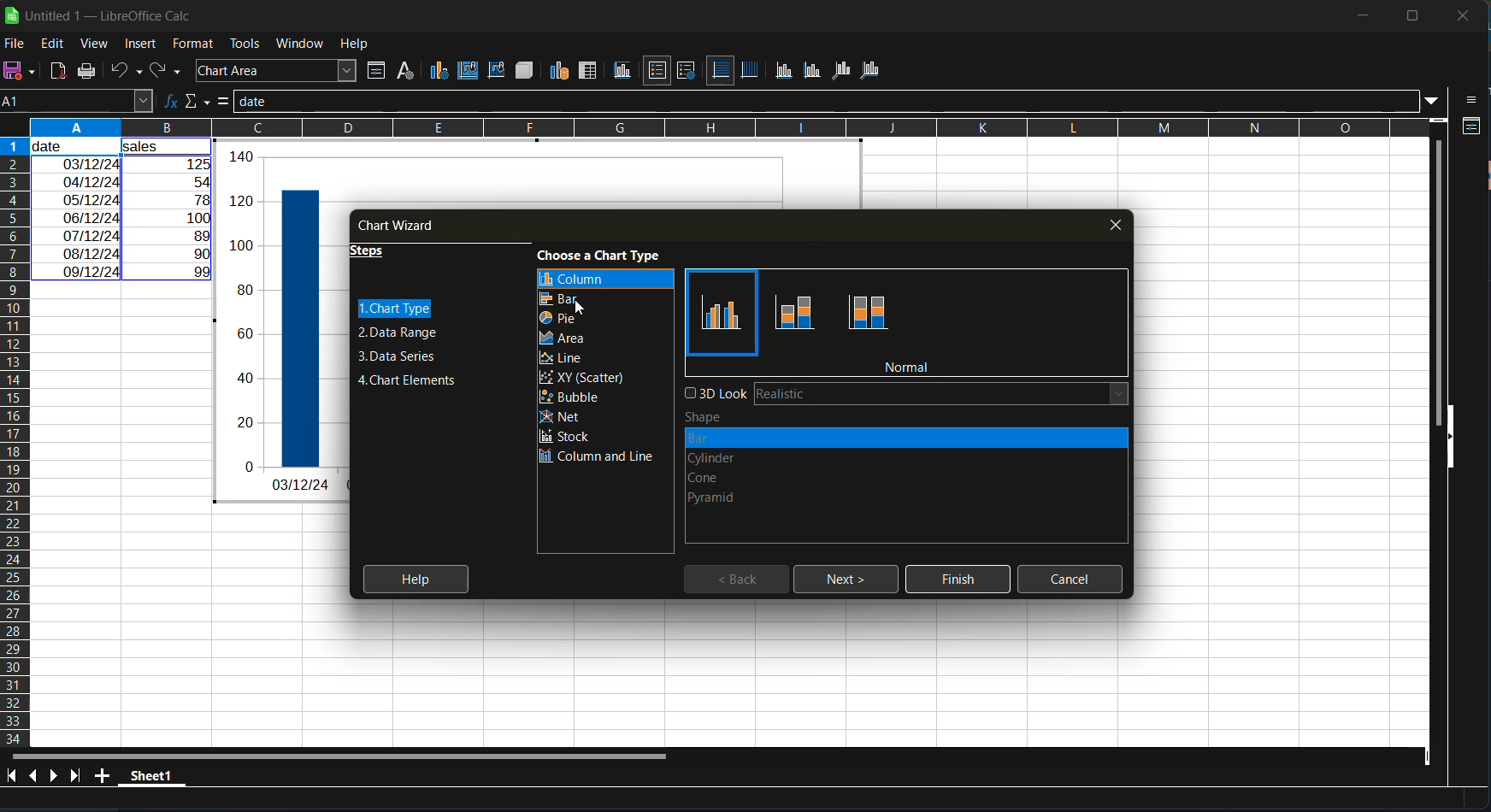  What do you see at coordinates (195, 44) in the screenshot?
I see `format` at bounding box center [195, 44].